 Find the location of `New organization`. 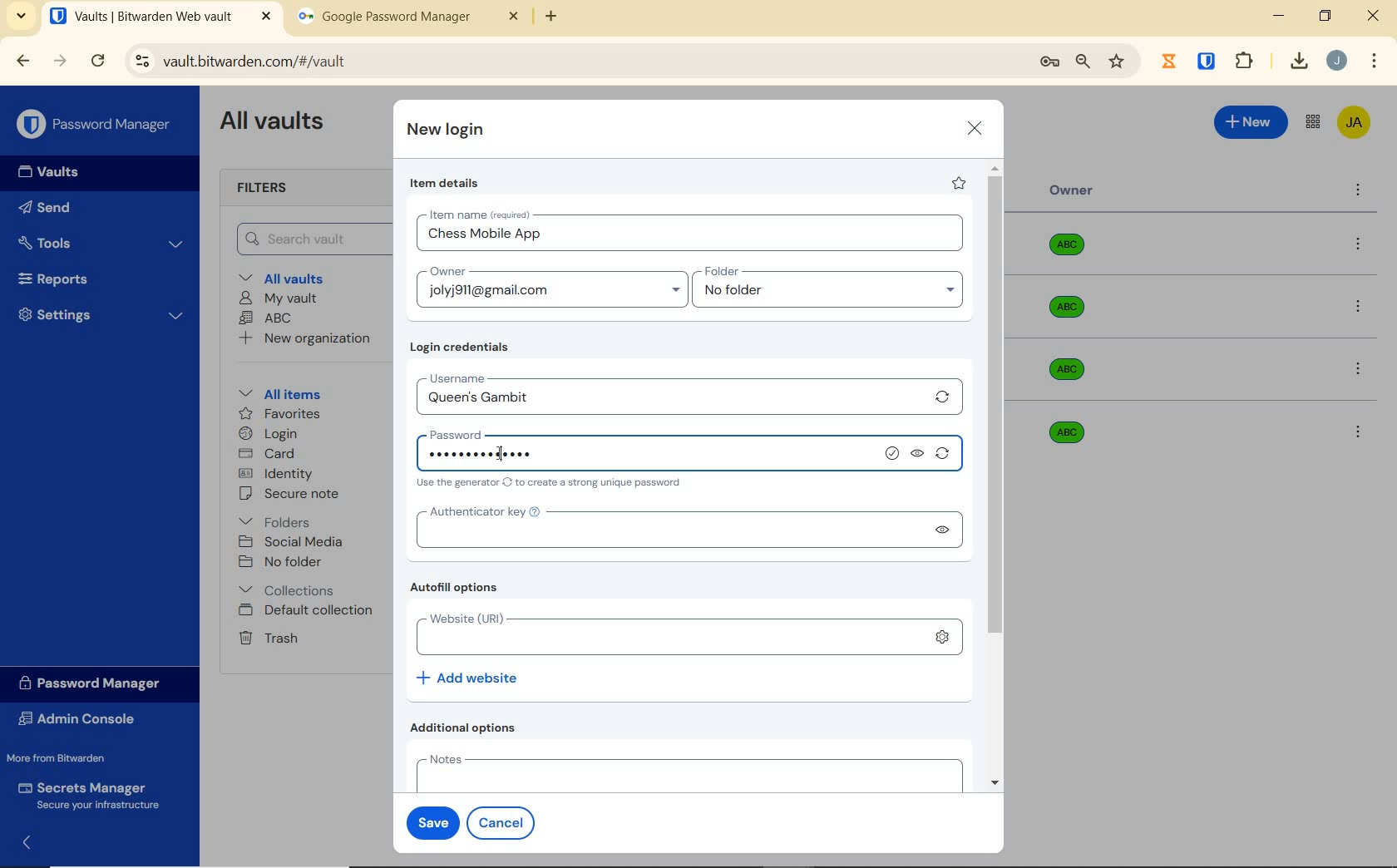

New organization is located at coordinates (303, 338).